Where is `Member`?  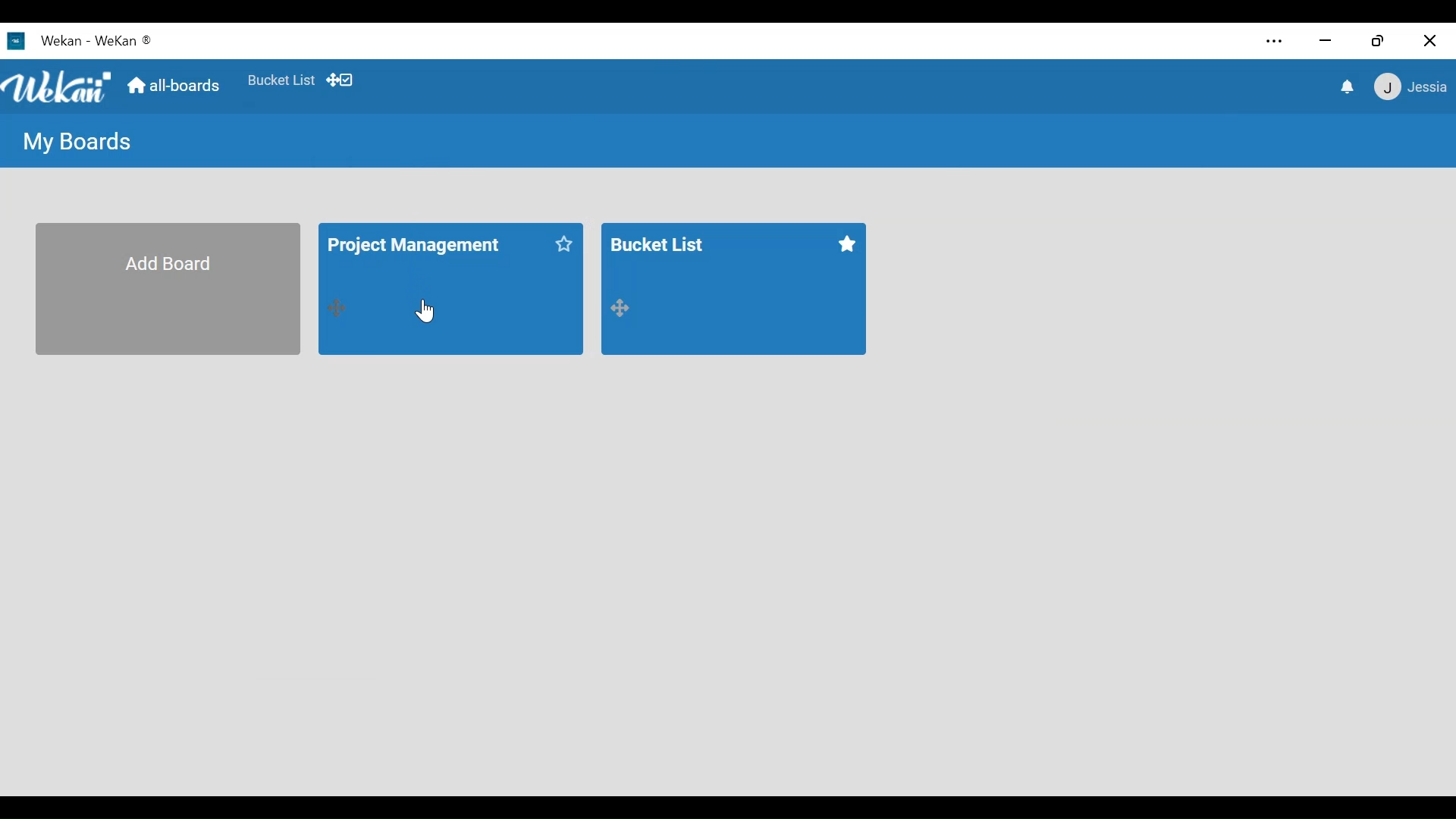
Member is located at coordinates (1411, 86).